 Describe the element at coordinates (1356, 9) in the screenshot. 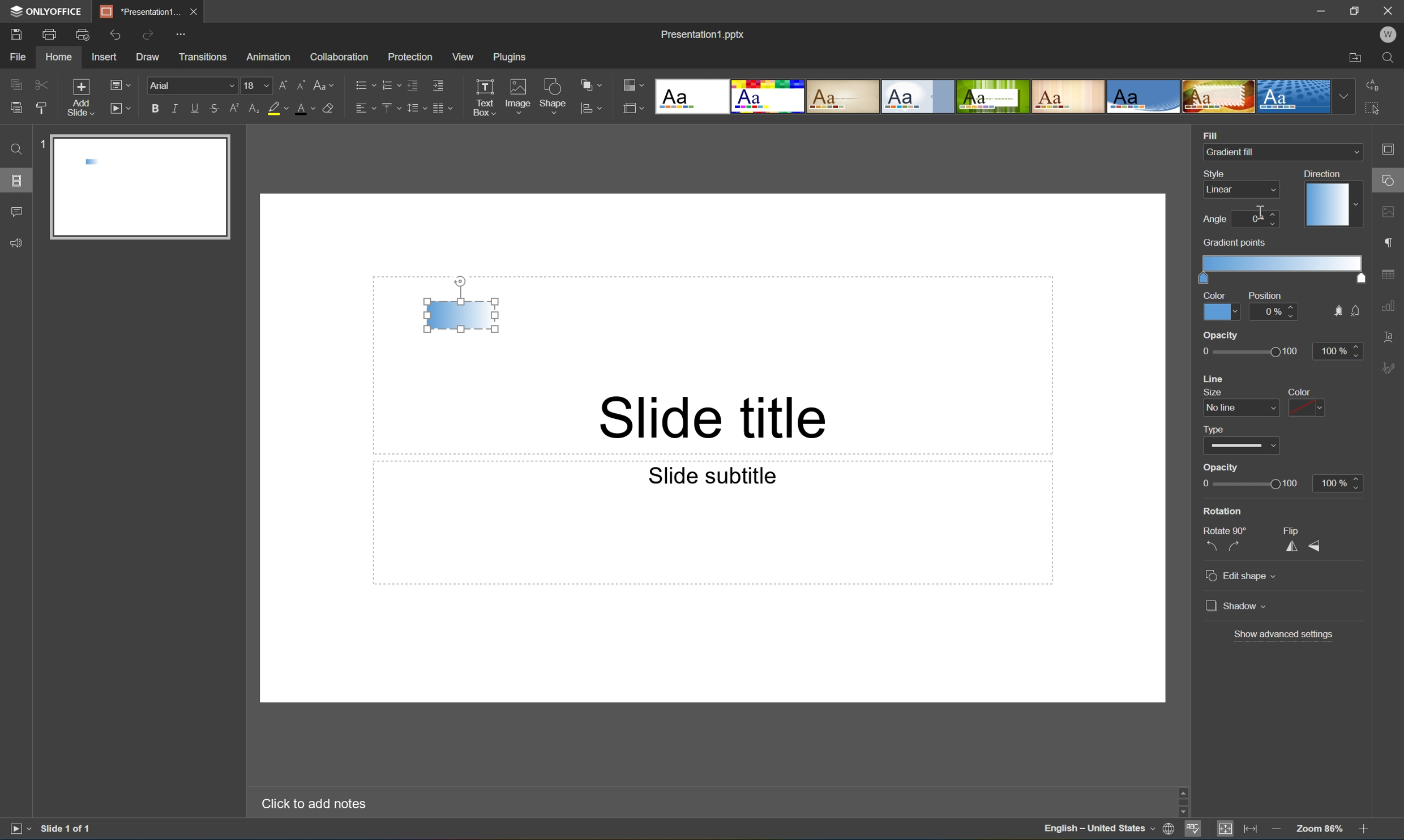

I see `Restore Down` at that location.